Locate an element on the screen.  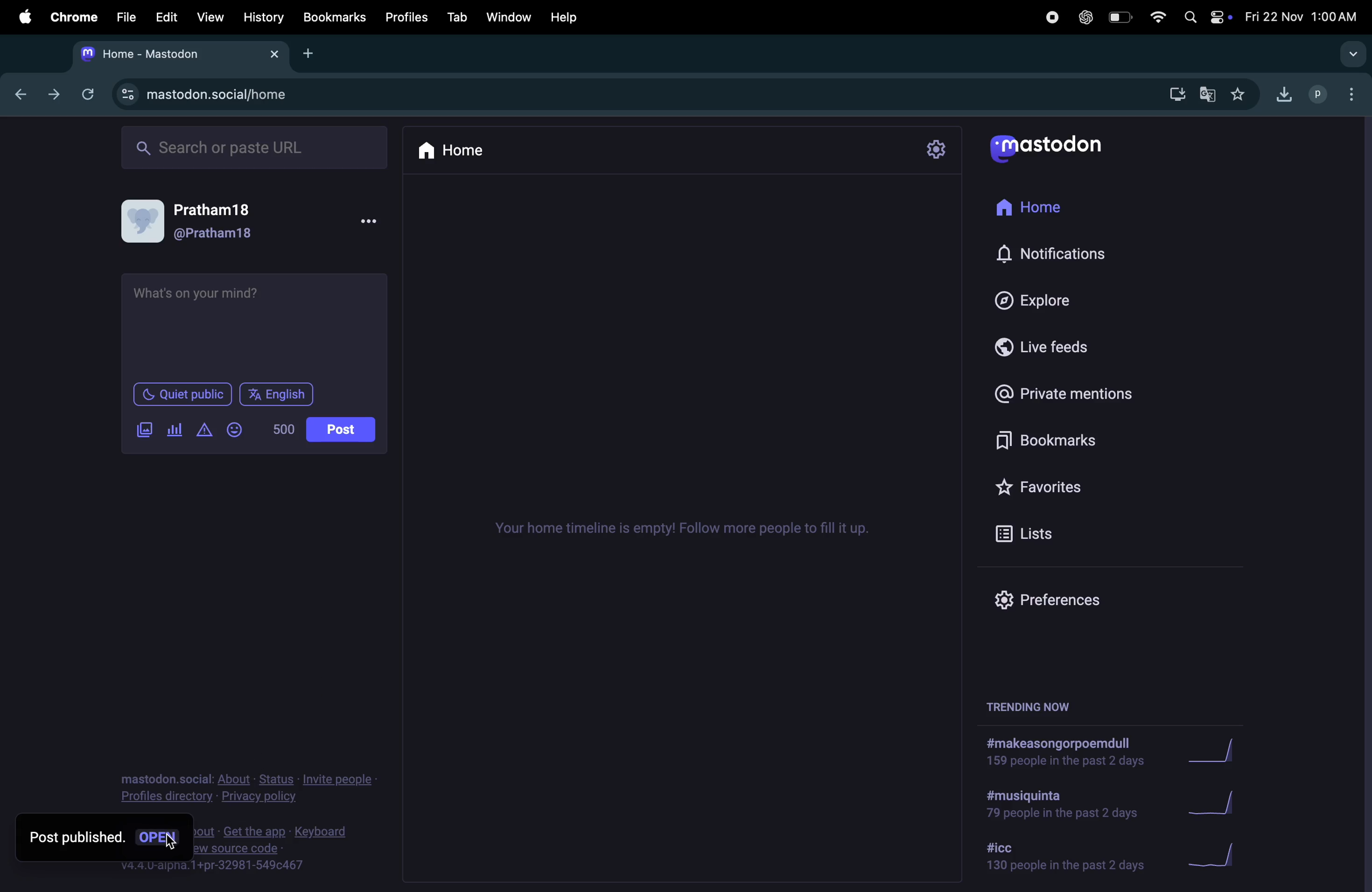
poles is located at coordinates (174, 428).